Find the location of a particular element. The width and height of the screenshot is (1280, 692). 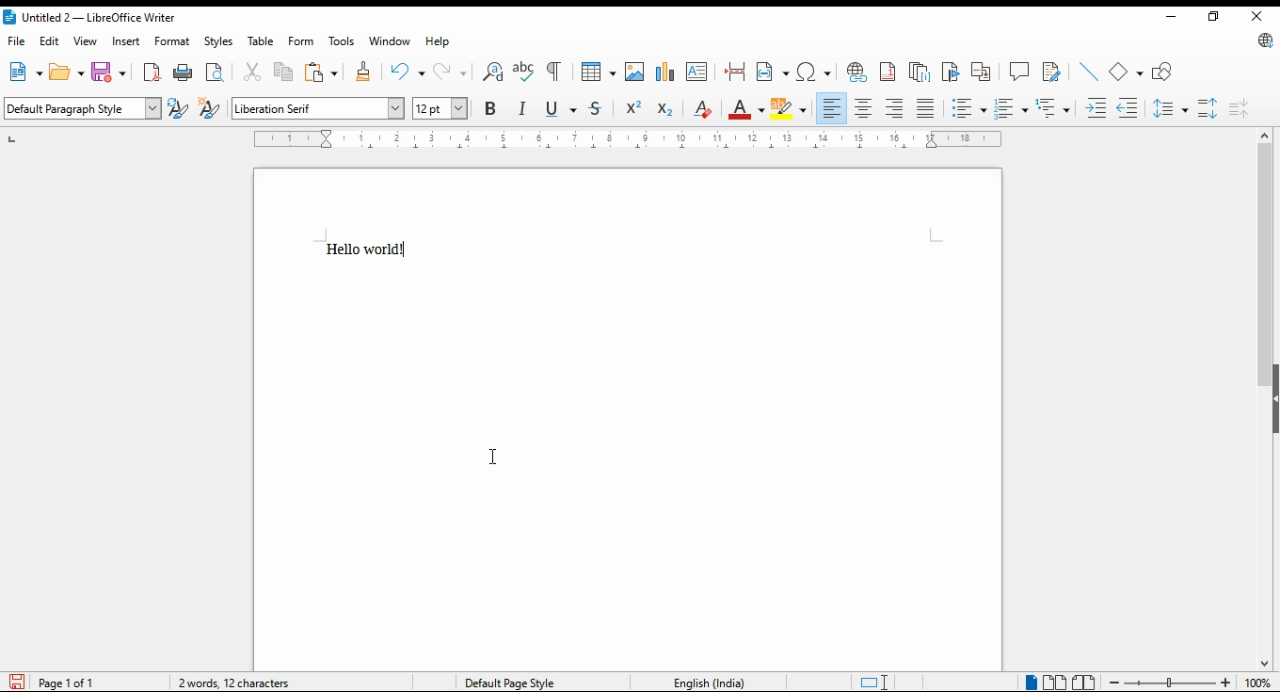

increase indent is located at coordinates (1096, 110).